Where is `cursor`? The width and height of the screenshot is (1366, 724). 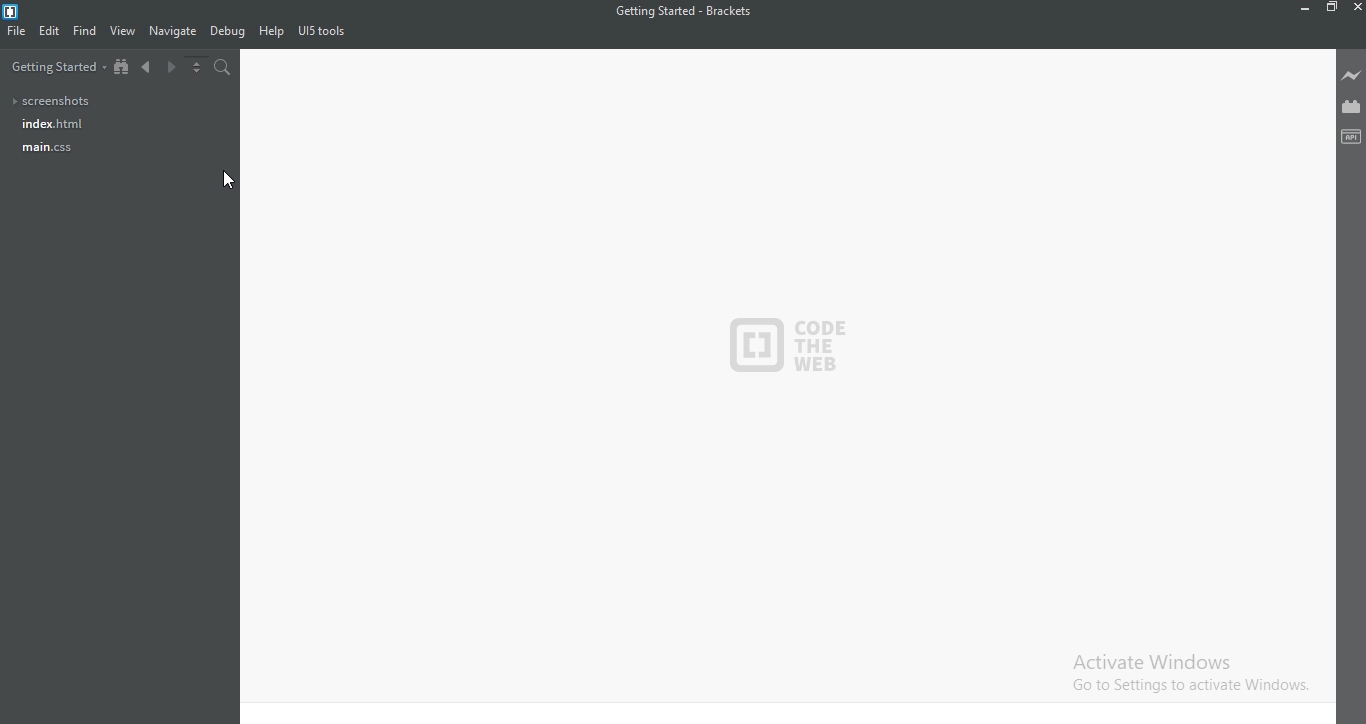 cursor is located at coordinates (228, 181).